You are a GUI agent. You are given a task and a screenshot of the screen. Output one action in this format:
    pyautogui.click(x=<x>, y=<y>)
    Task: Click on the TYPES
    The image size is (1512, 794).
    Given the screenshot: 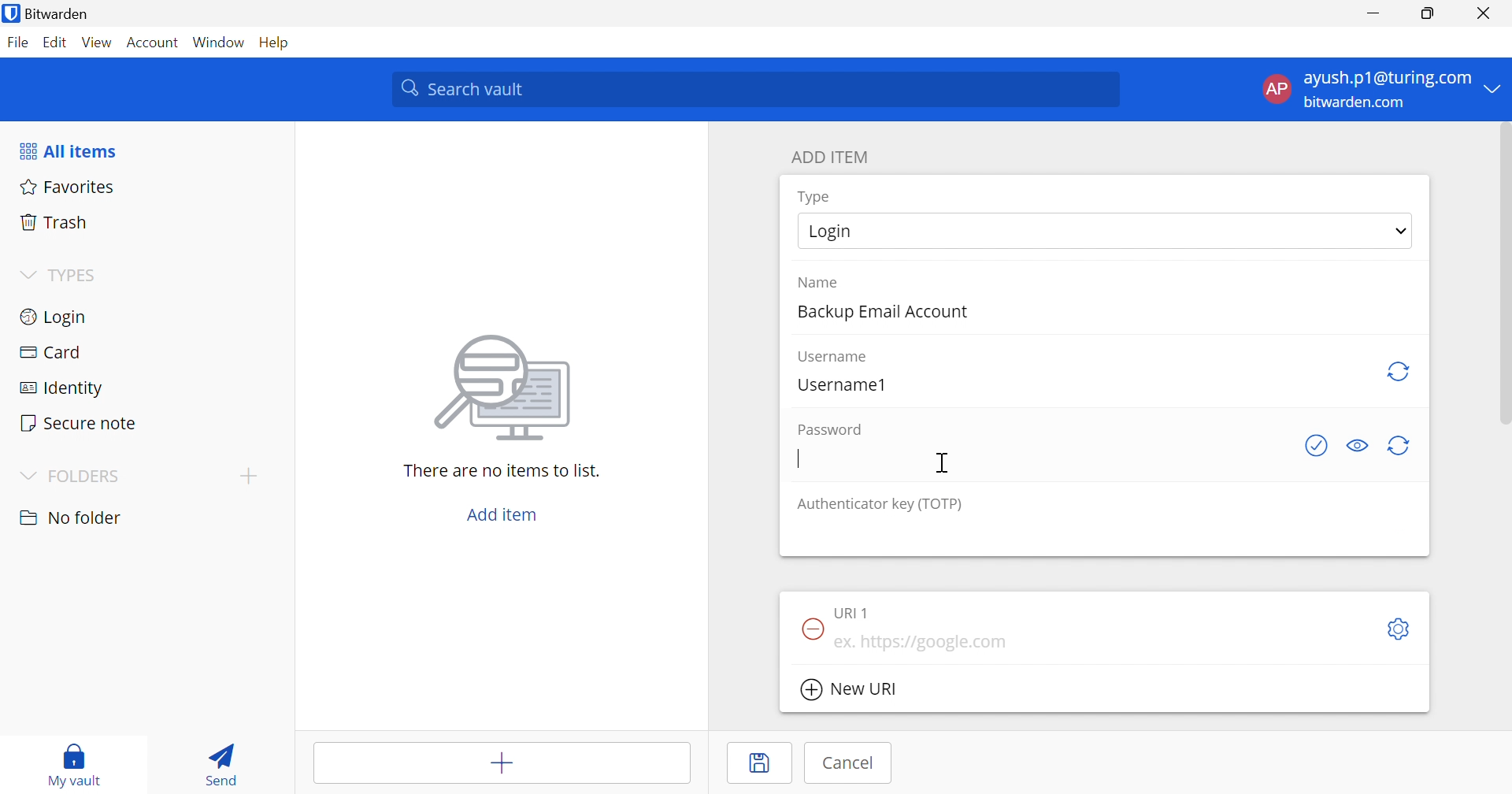 What is the action you would take?
    pyautogui.click(x=74, y=274)
    